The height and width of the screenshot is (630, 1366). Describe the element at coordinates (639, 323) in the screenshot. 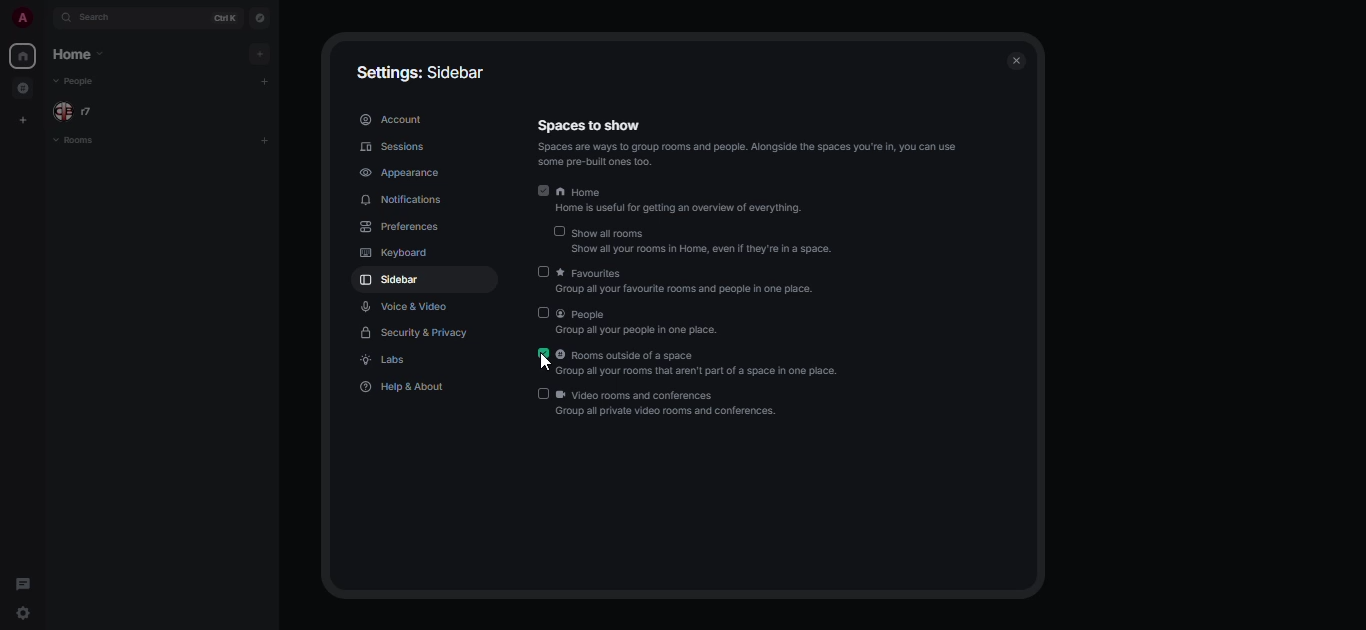

I see `people` at that location.